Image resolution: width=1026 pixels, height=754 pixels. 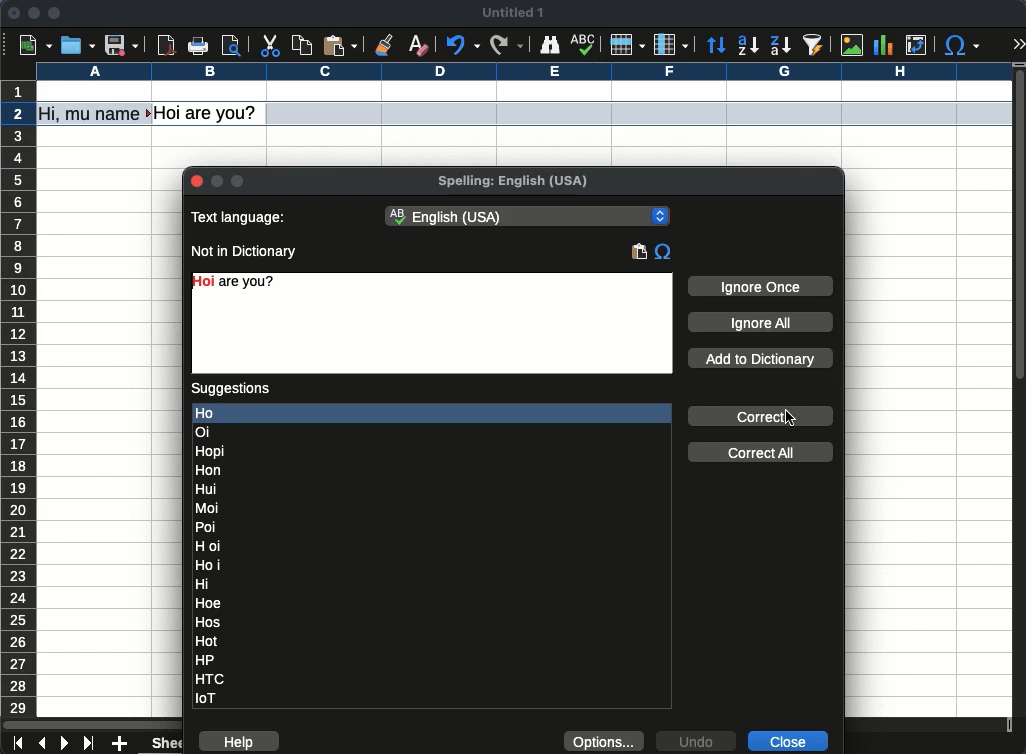 What do you see at coordinates (421, 43) in the screenshot?
I see `clear formatting` at bounding box center [421, 43].